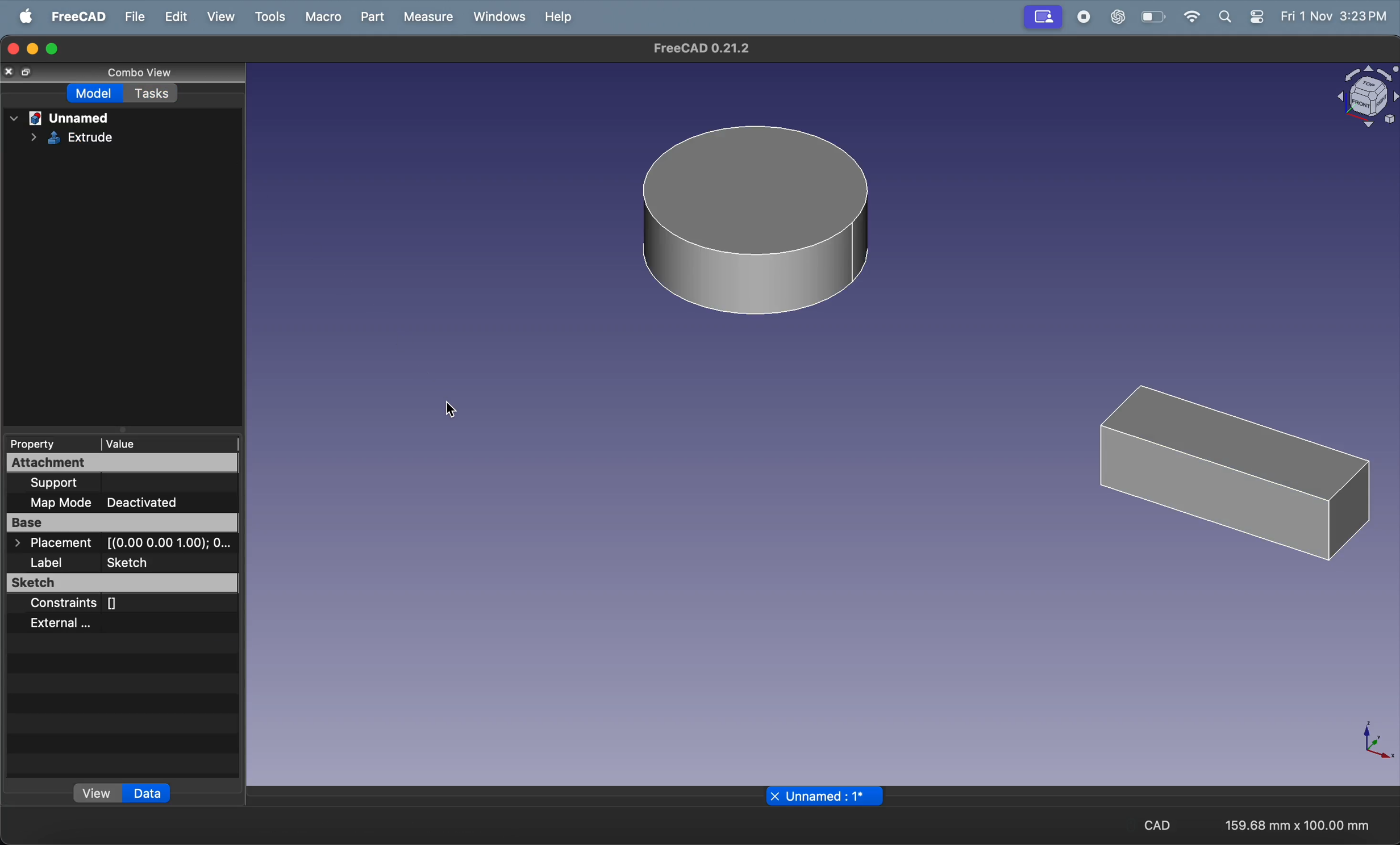 The width and height of the screenshot is (1400, 845). What do you see at coordinates (10, 72) in the screenshot?
I see `close` at bounding box center [10, 72].